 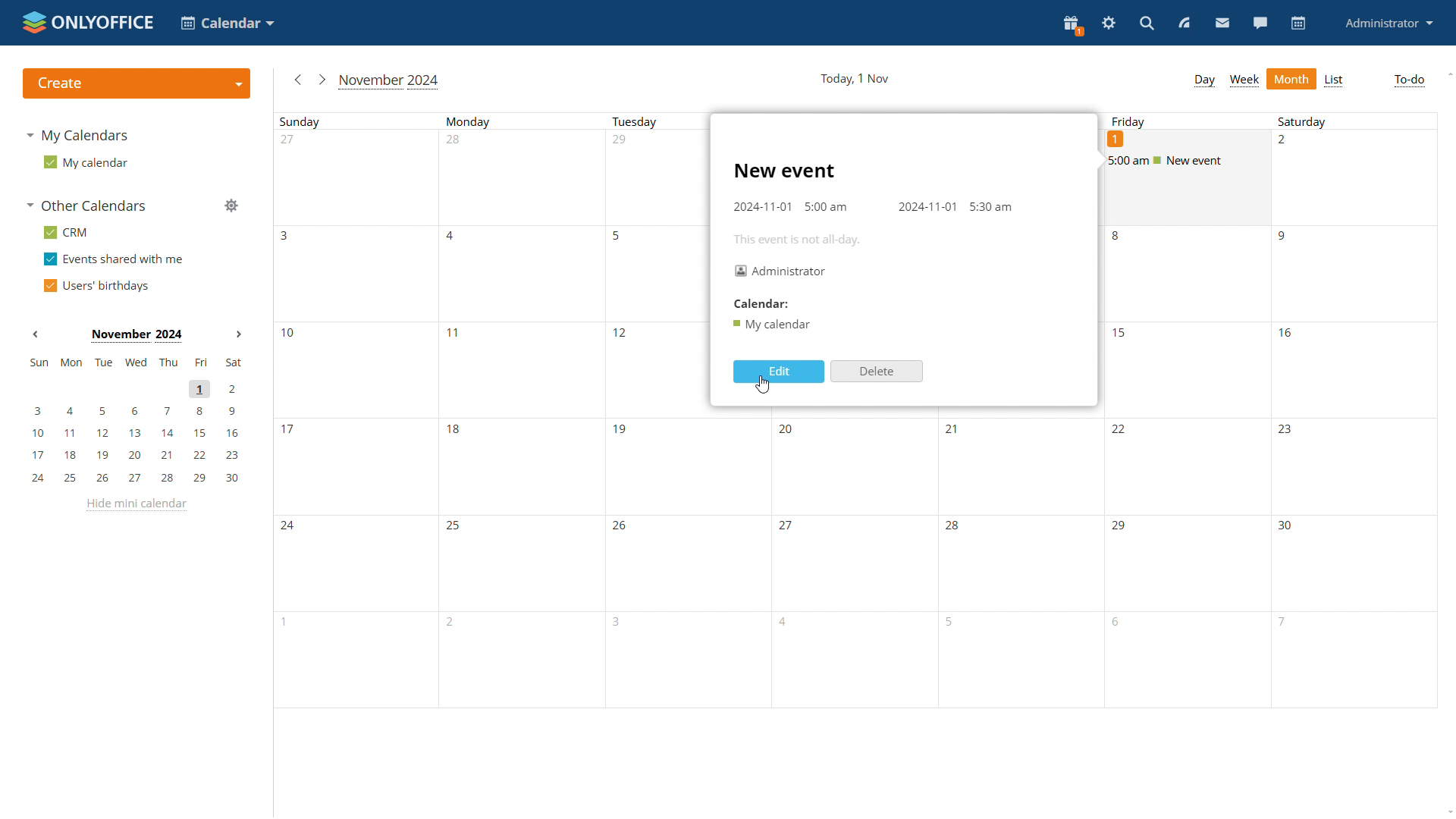 What do you see at coordinates (89, 23) in the screenshot?
I see `logo` at bounding box center [89, 23].